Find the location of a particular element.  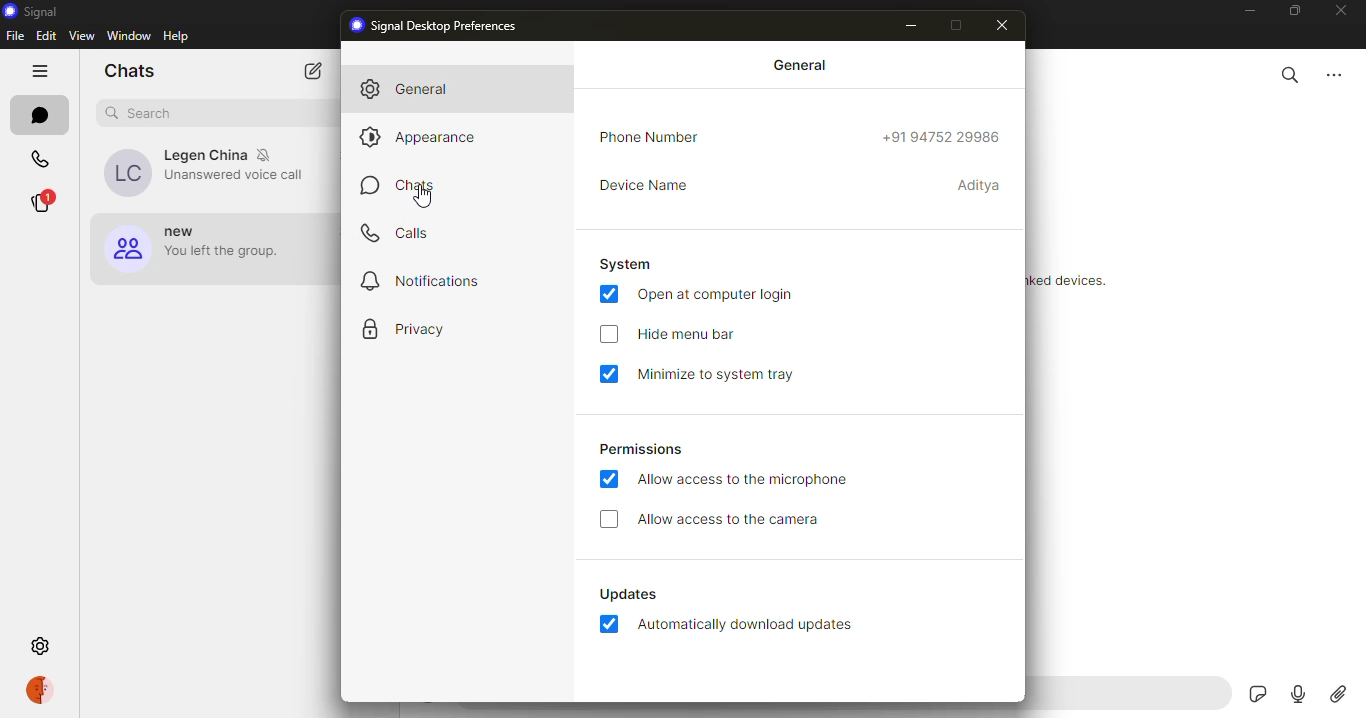

calls is located at coordinates (40, 160).